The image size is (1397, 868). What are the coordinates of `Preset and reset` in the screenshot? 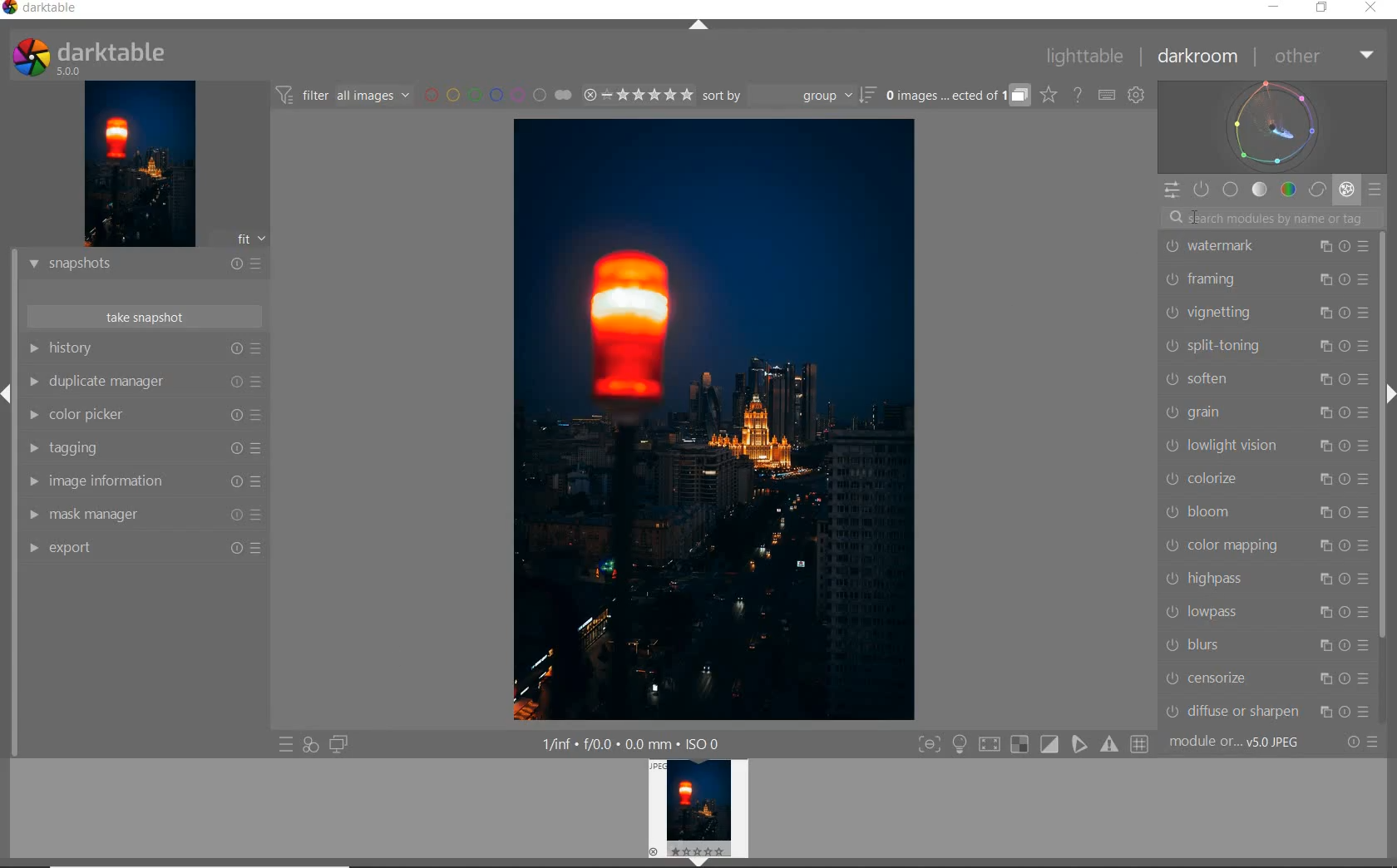 It's located at (265, 263).